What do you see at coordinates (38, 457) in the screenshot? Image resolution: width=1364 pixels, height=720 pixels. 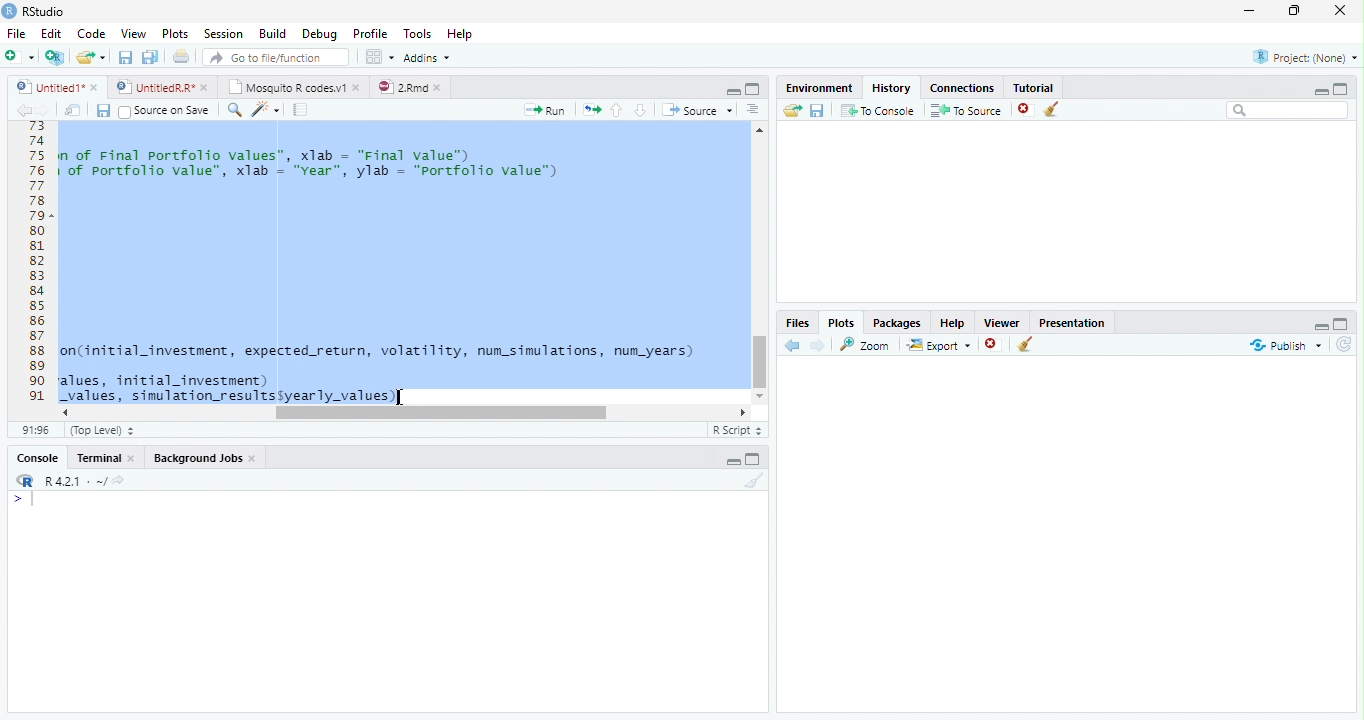 I see `Console` at bounding box center [38, 457].